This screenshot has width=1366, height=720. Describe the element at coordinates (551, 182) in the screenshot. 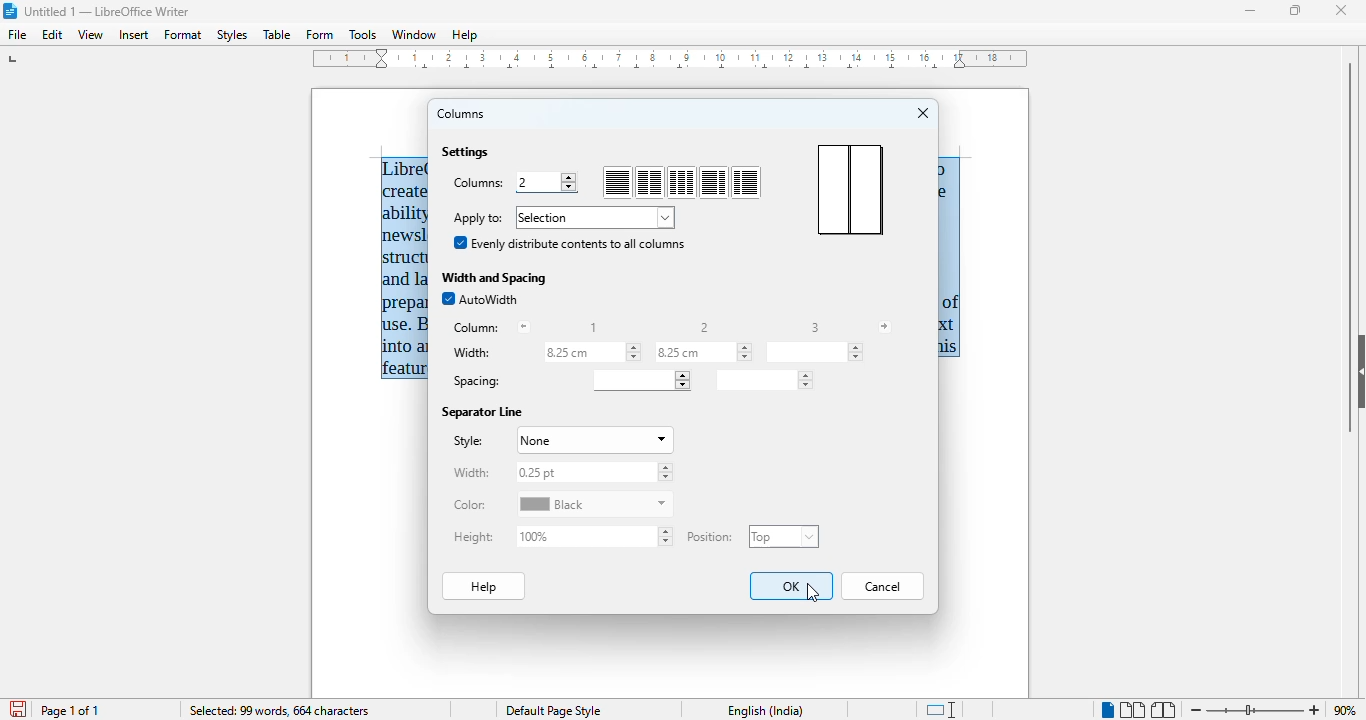

I see `2 ` at that location.